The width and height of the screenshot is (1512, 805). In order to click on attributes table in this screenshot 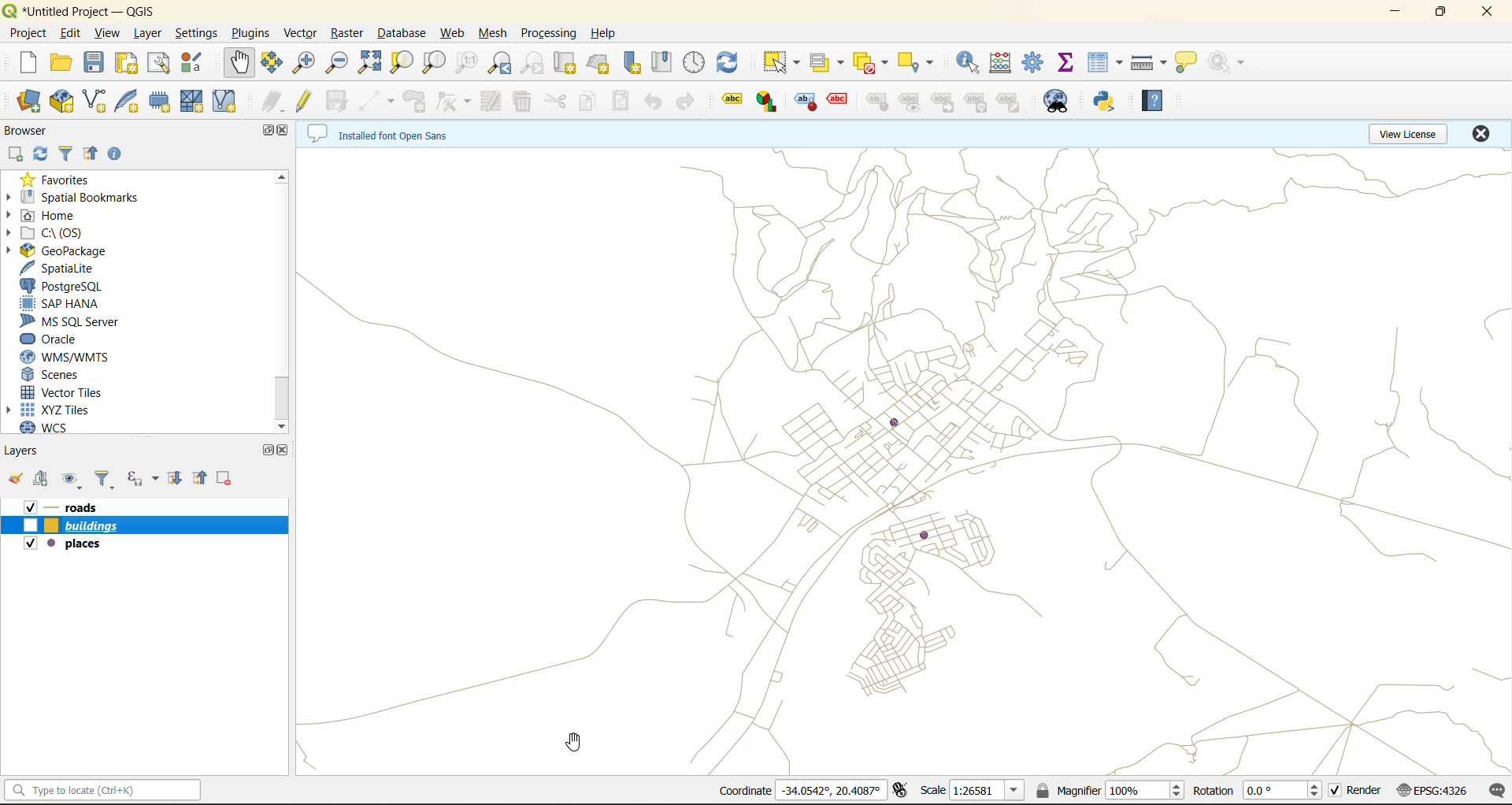, I will do `click(1106, 65)`.